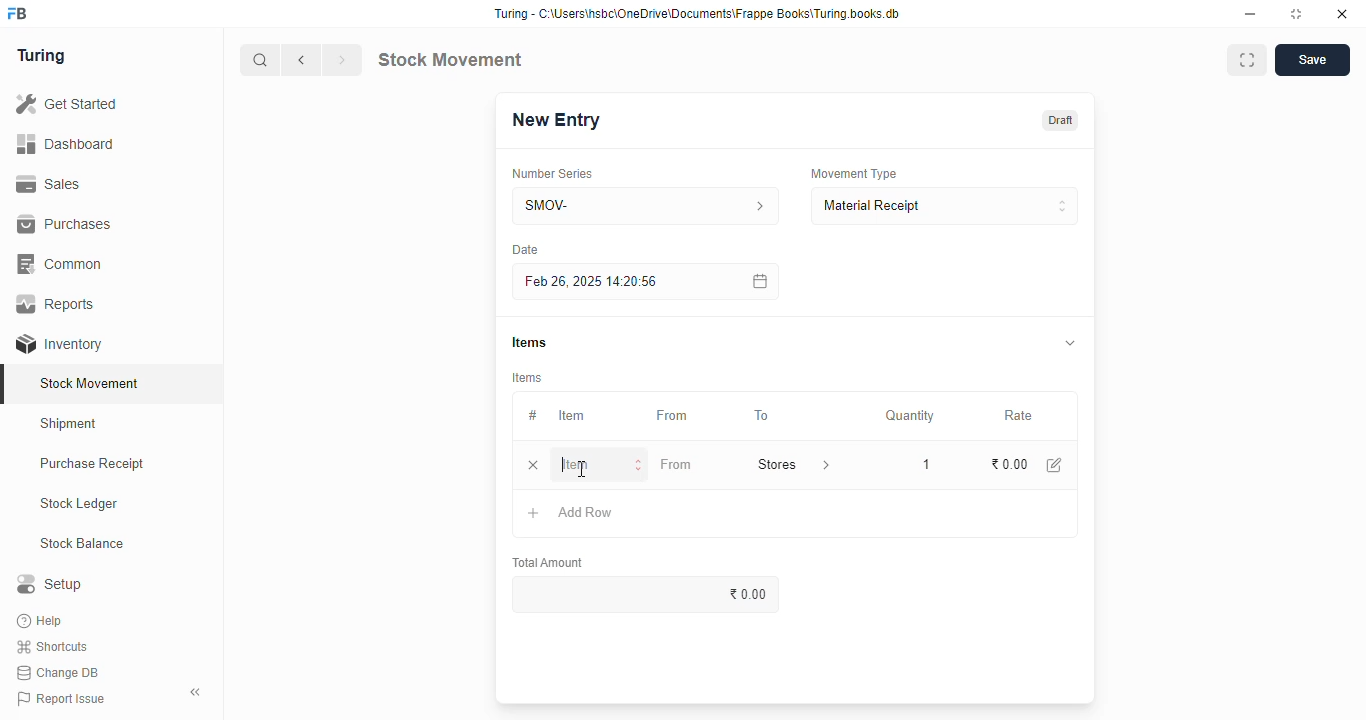  I want to click on number series, so click(551, 174).